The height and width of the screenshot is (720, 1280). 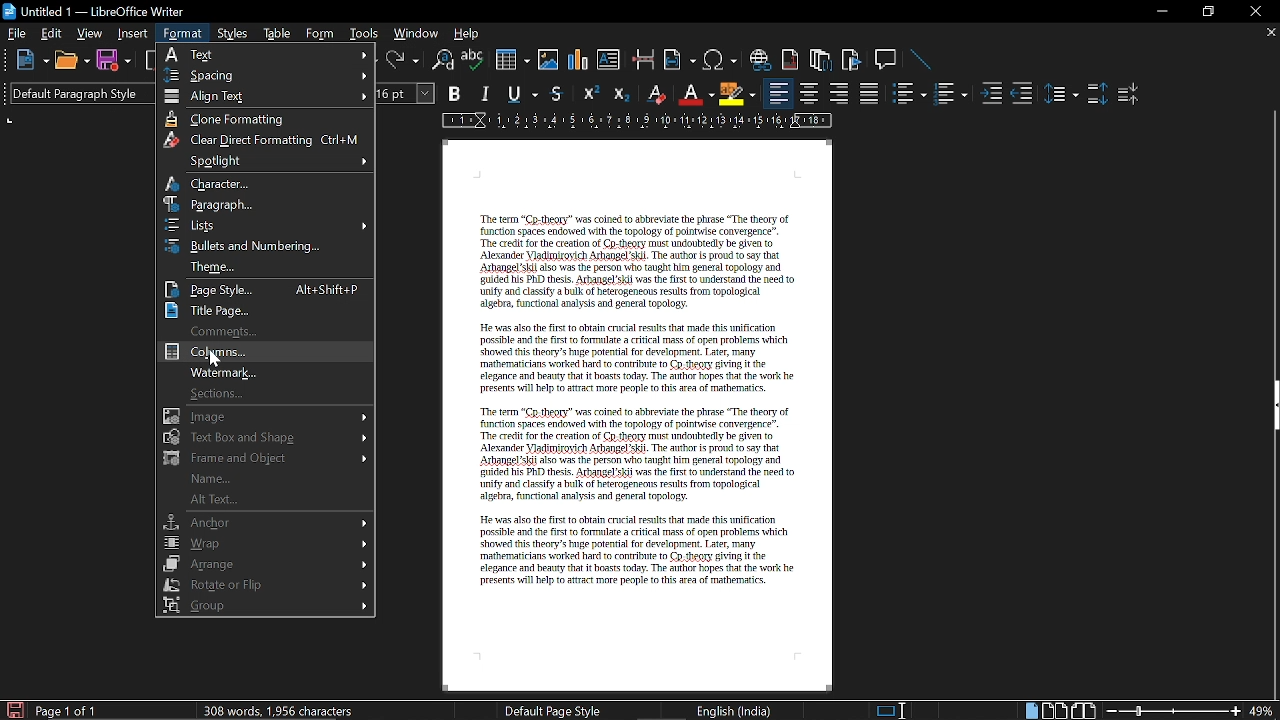 What do you see at coordinates (266, 204) in the screenshot?
I see `paragraph` at bounding box center [266, 204].